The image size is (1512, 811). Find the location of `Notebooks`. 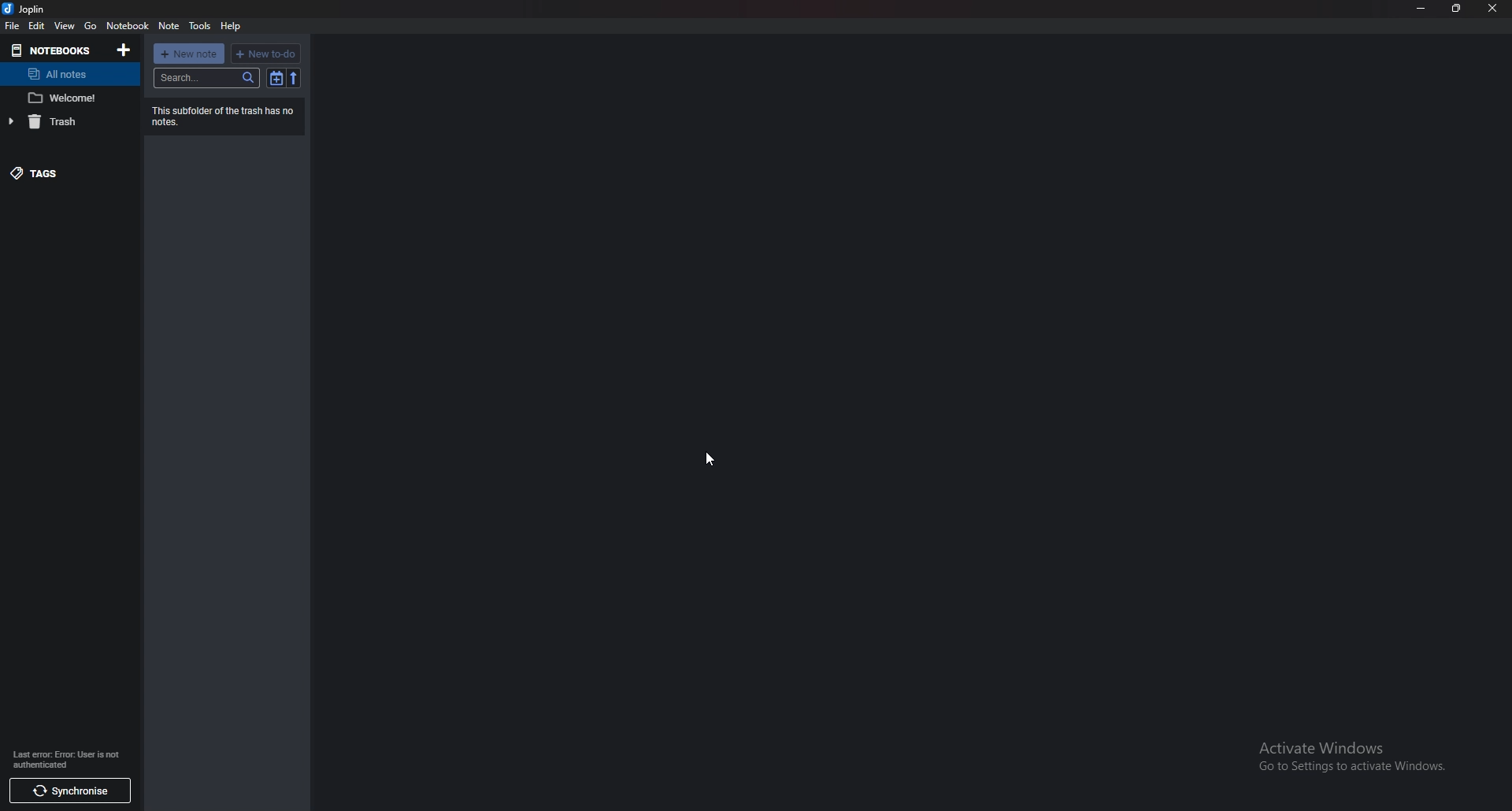

Notebooks is located at coordinates (53, 49).